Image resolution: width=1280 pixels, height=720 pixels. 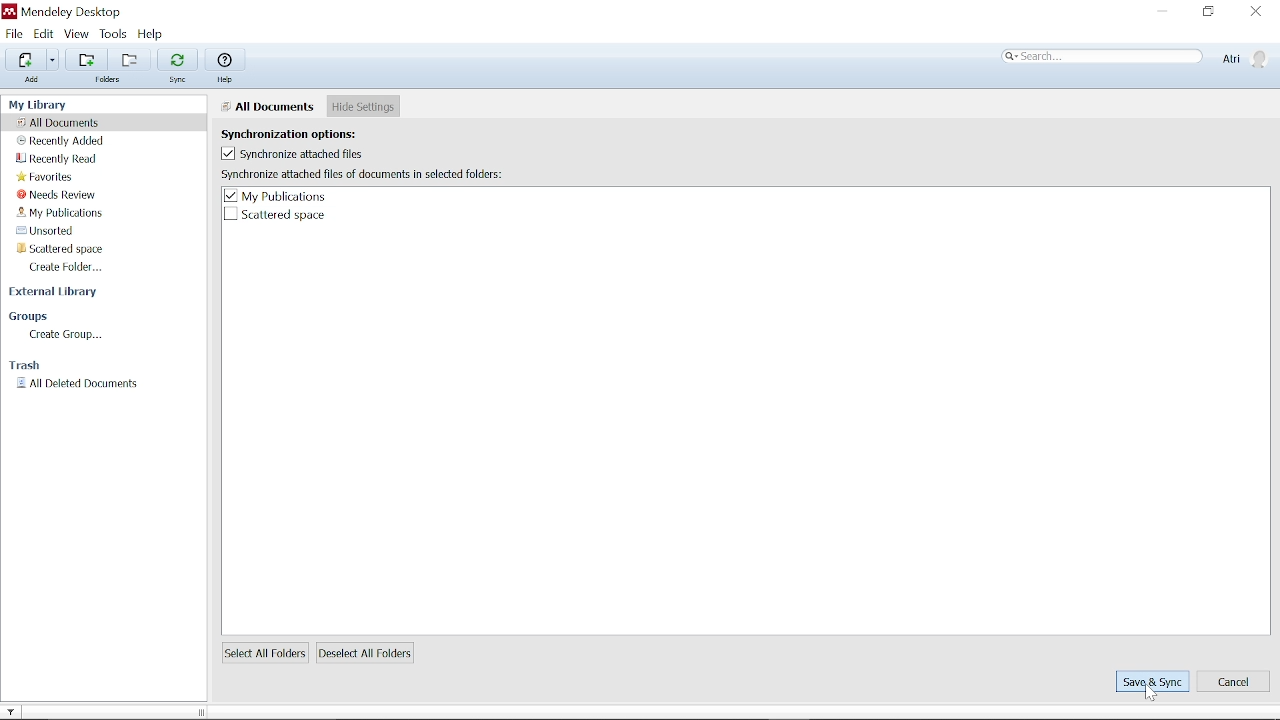 What do you see at coordinates (110, 82) in the screenshot?
I see `folders` at bounding box center [110, 82].